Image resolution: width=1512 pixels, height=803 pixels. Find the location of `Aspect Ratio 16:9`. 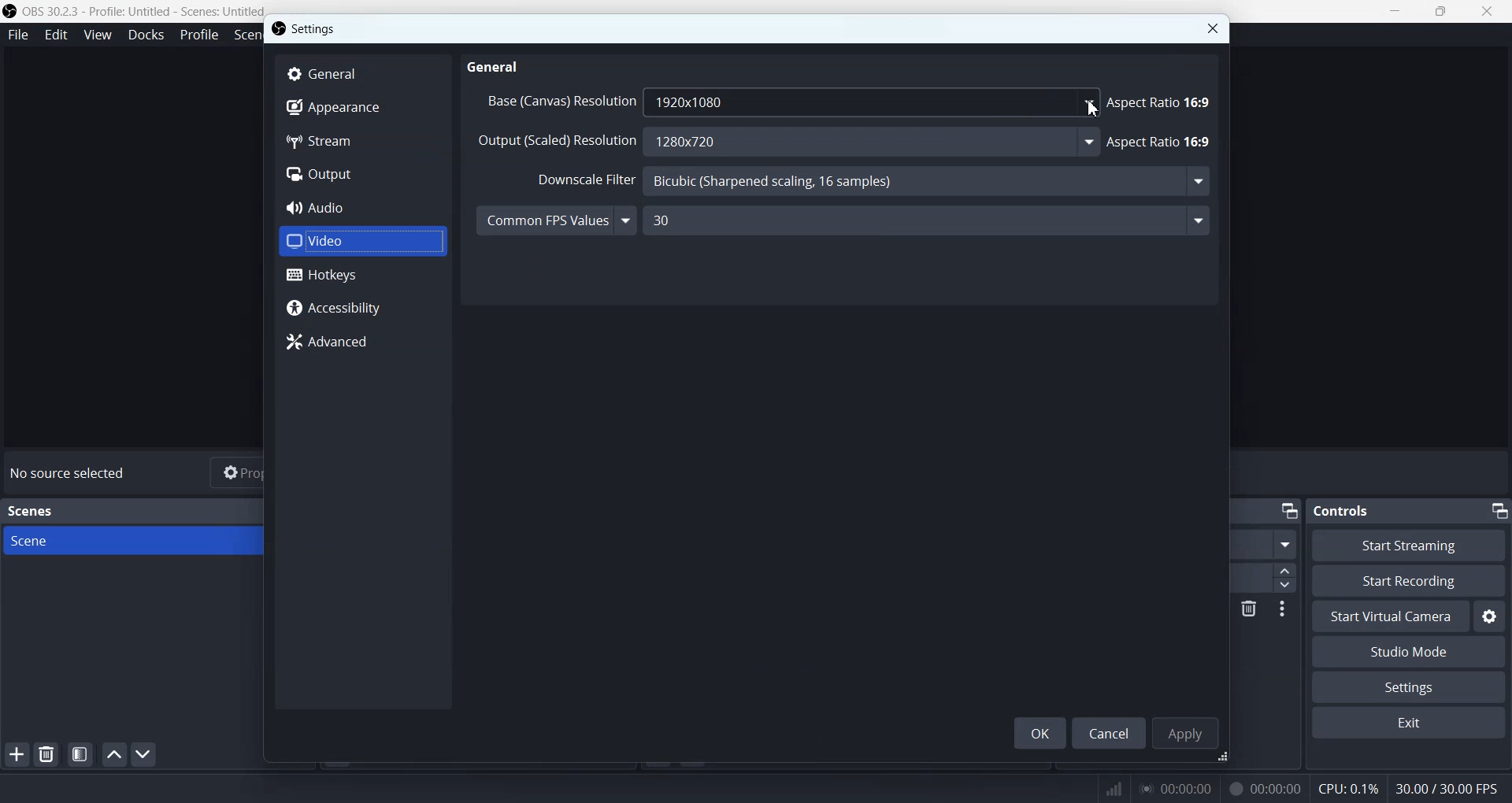

Aspect Ratio 16:9 is located at coordinates (1161, 142).